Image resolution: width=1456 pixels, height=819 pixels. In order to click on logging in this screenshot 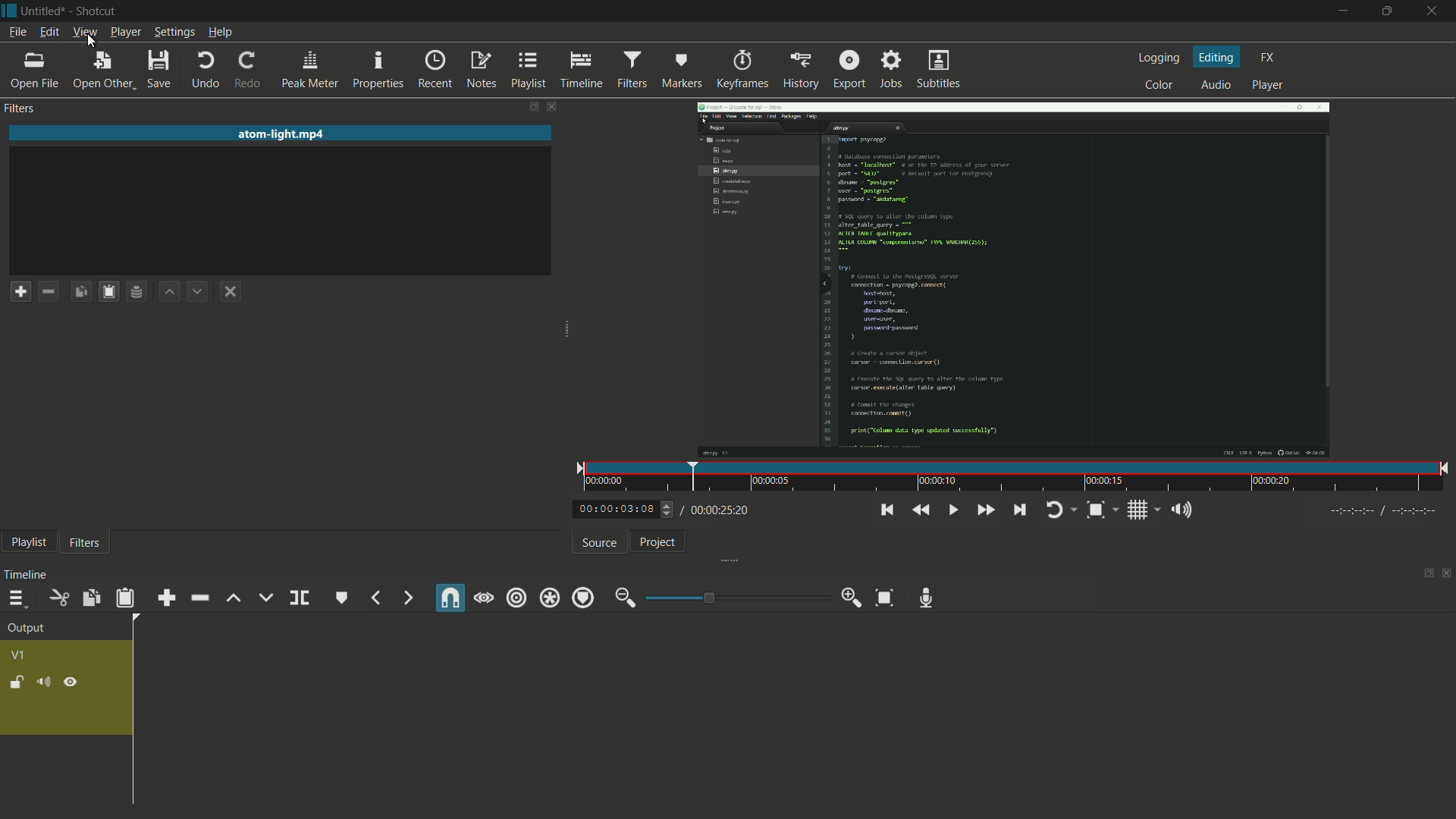, I will do `click(1158, 59)`.